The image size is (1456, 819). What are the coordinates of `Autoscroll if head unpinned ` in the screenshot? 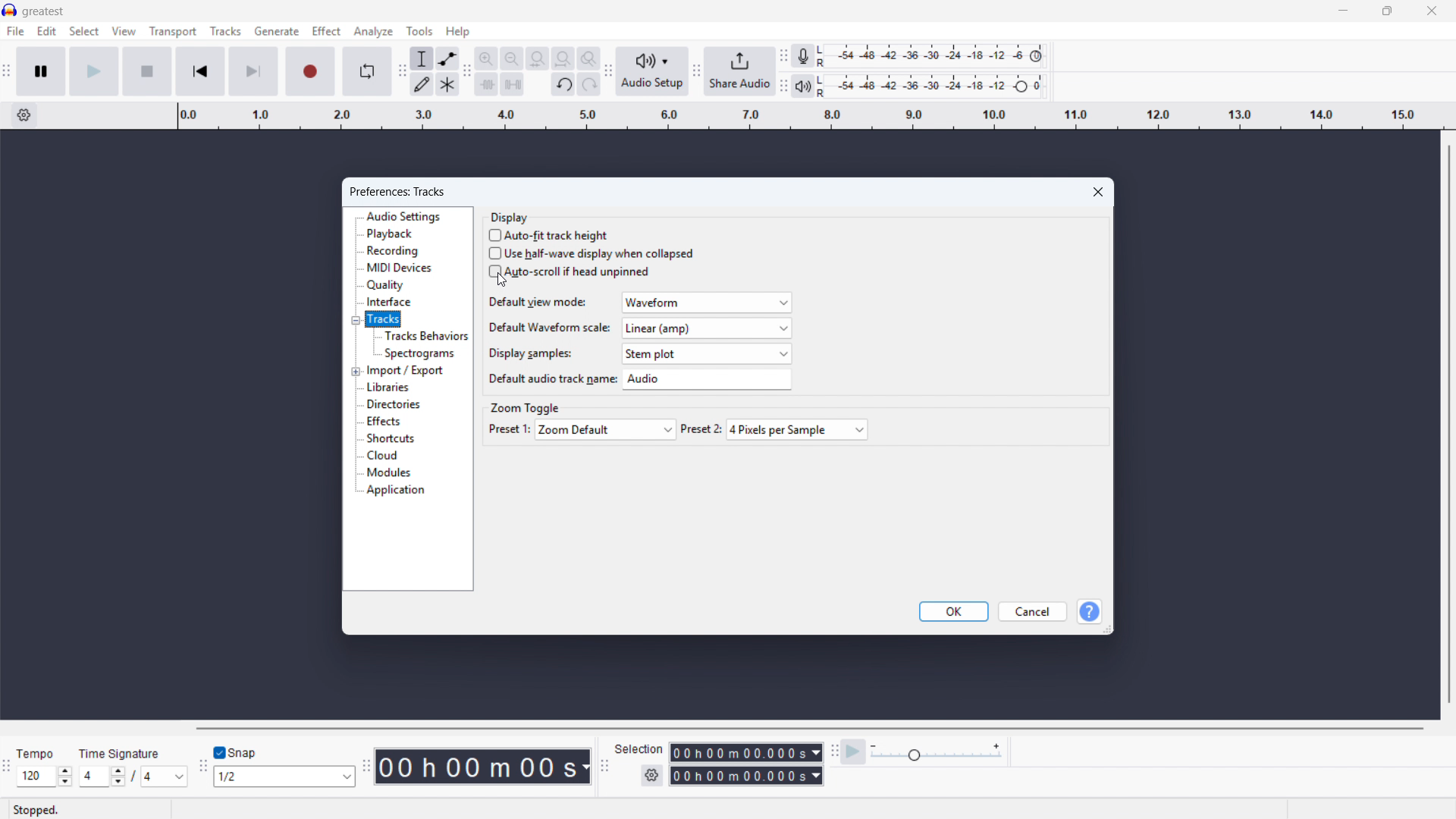 It's located at (572, 272).